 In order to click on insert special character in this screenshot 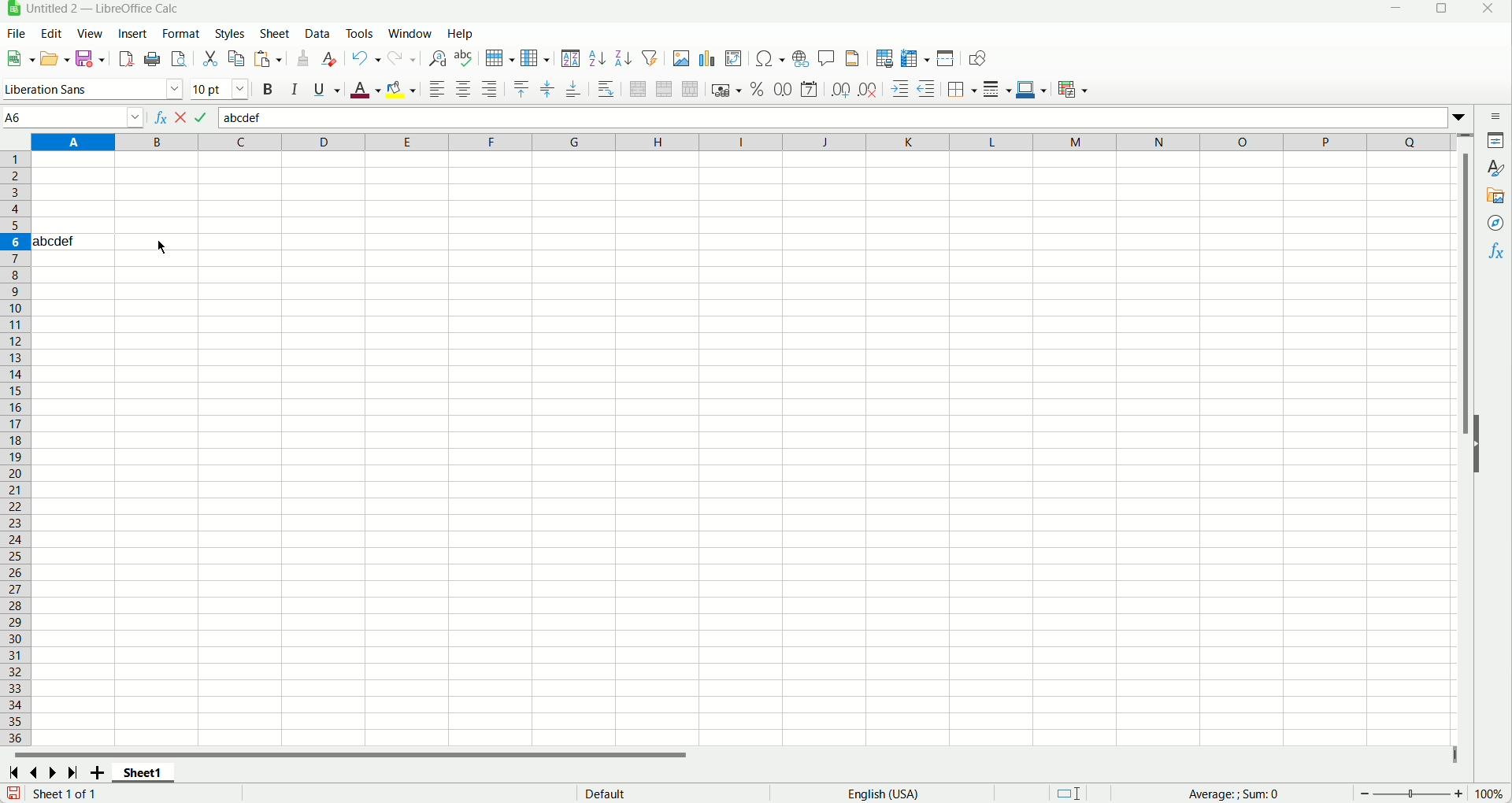, I will do `click(770, 58)`.